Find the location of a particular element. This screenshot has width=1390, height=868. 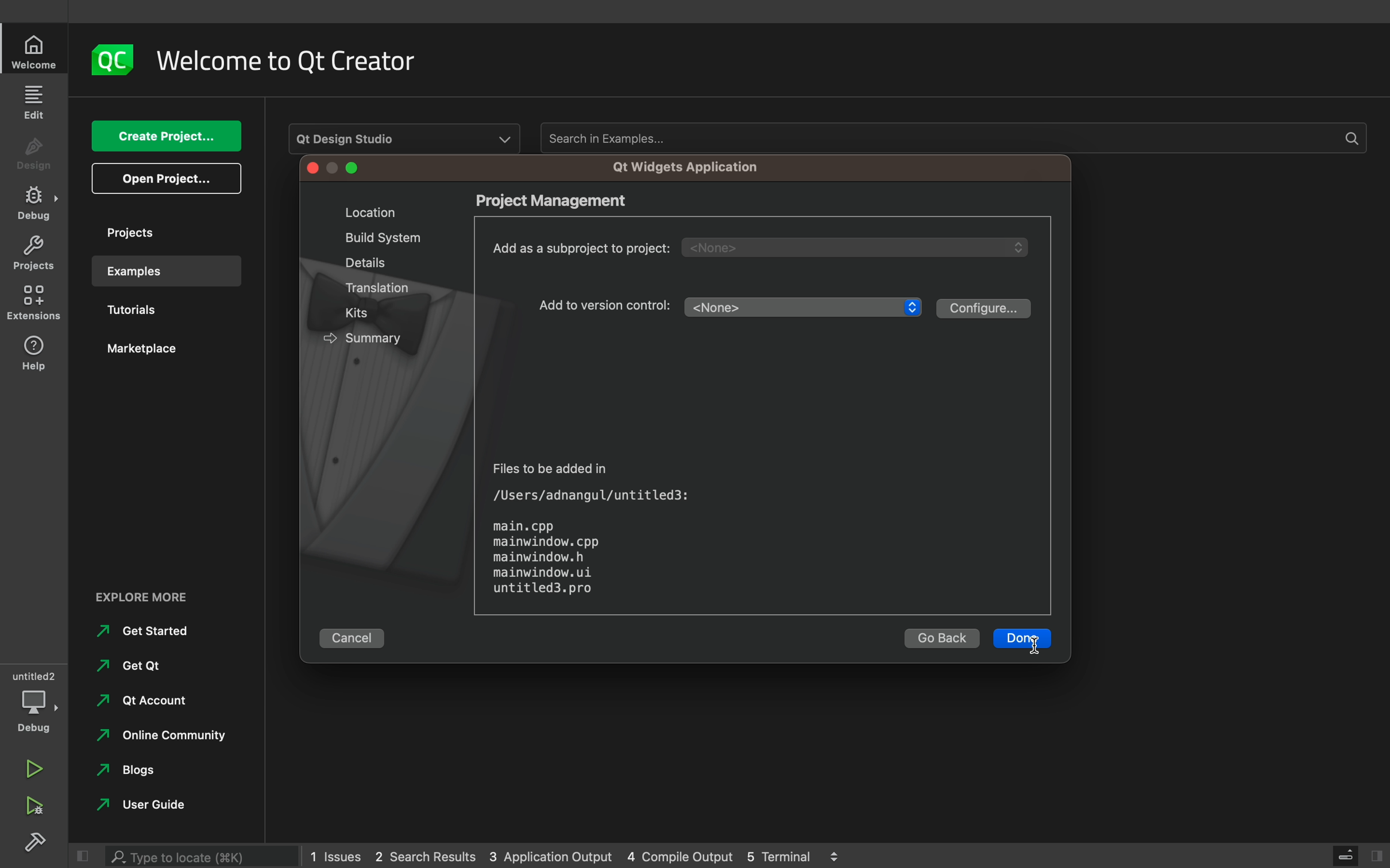

Qt Design is located at coordinates (404, 138).